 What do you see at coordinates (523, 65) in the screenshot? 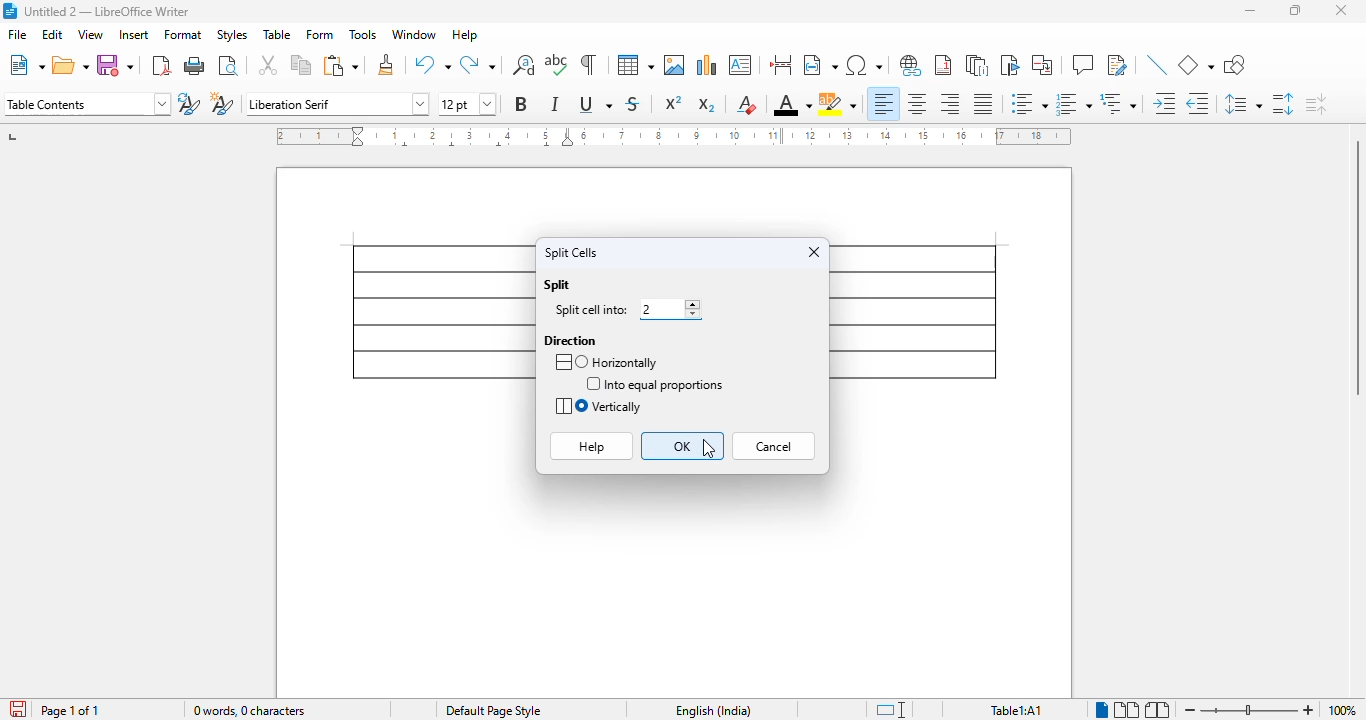
I see `find and replace` at bounding box center [523, 65].